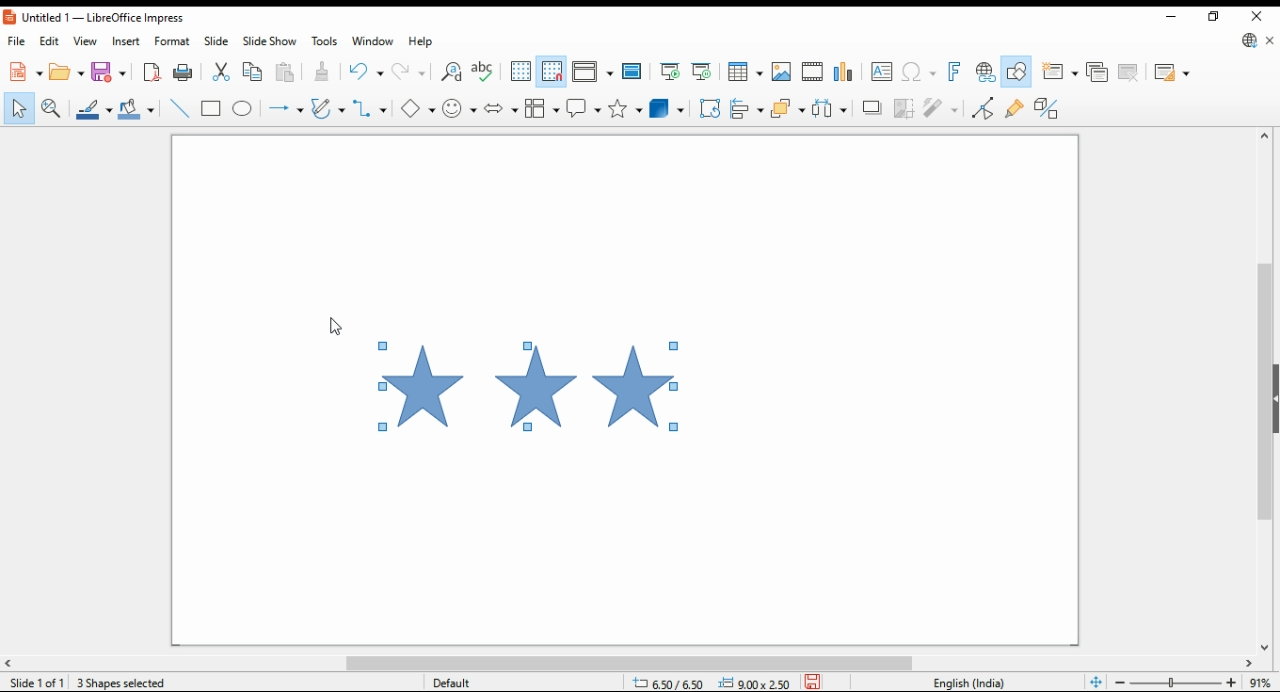 Image resolution: width=1280 pixels, height=692 pixels. What do you see at coordinates (367, 70) in the screenshot?
I see `undo` at bounding box center [367, 70].